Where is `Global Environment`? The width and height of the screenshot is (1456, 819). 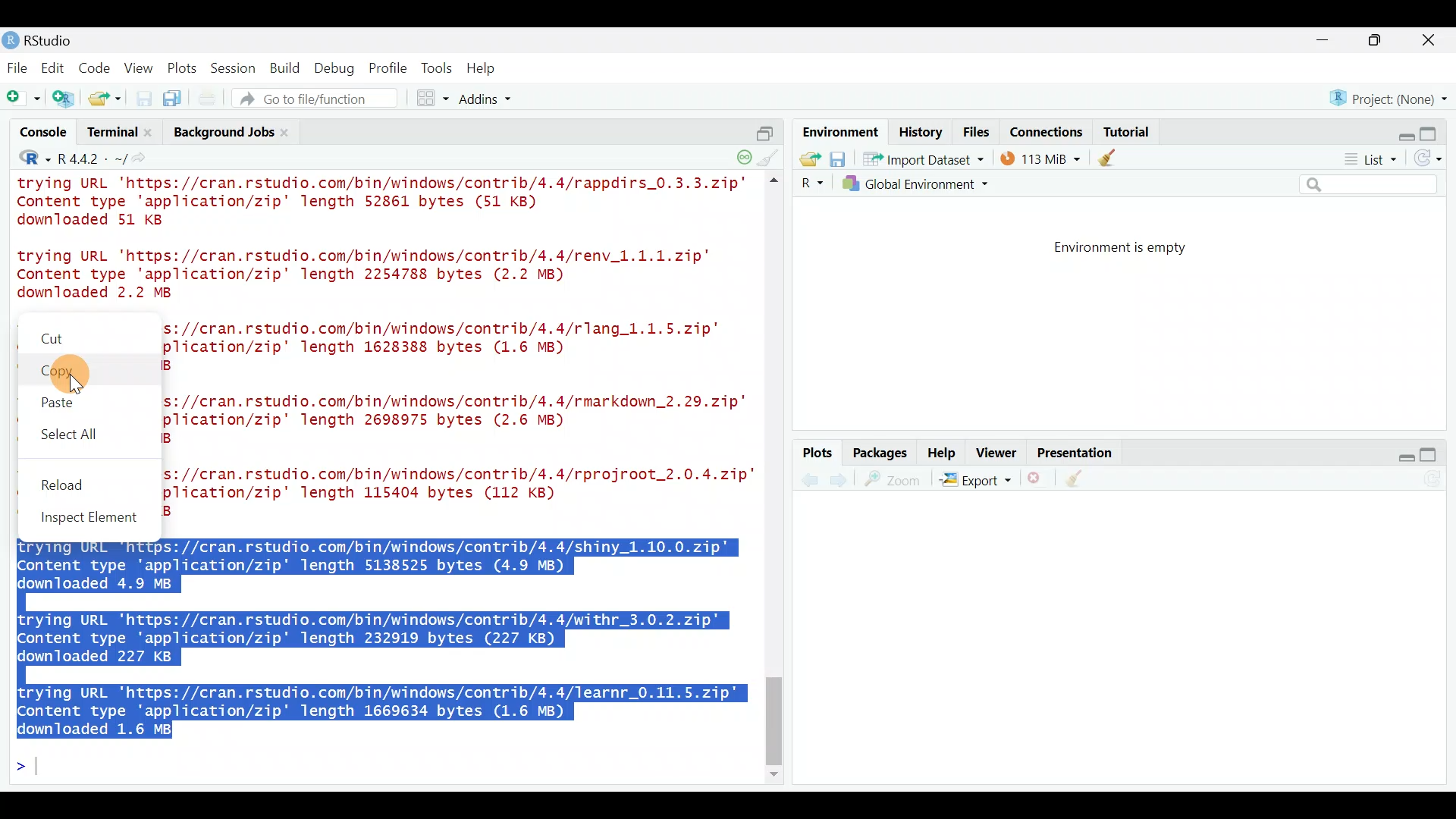 Global Environment is located at coordinates (927, 184).